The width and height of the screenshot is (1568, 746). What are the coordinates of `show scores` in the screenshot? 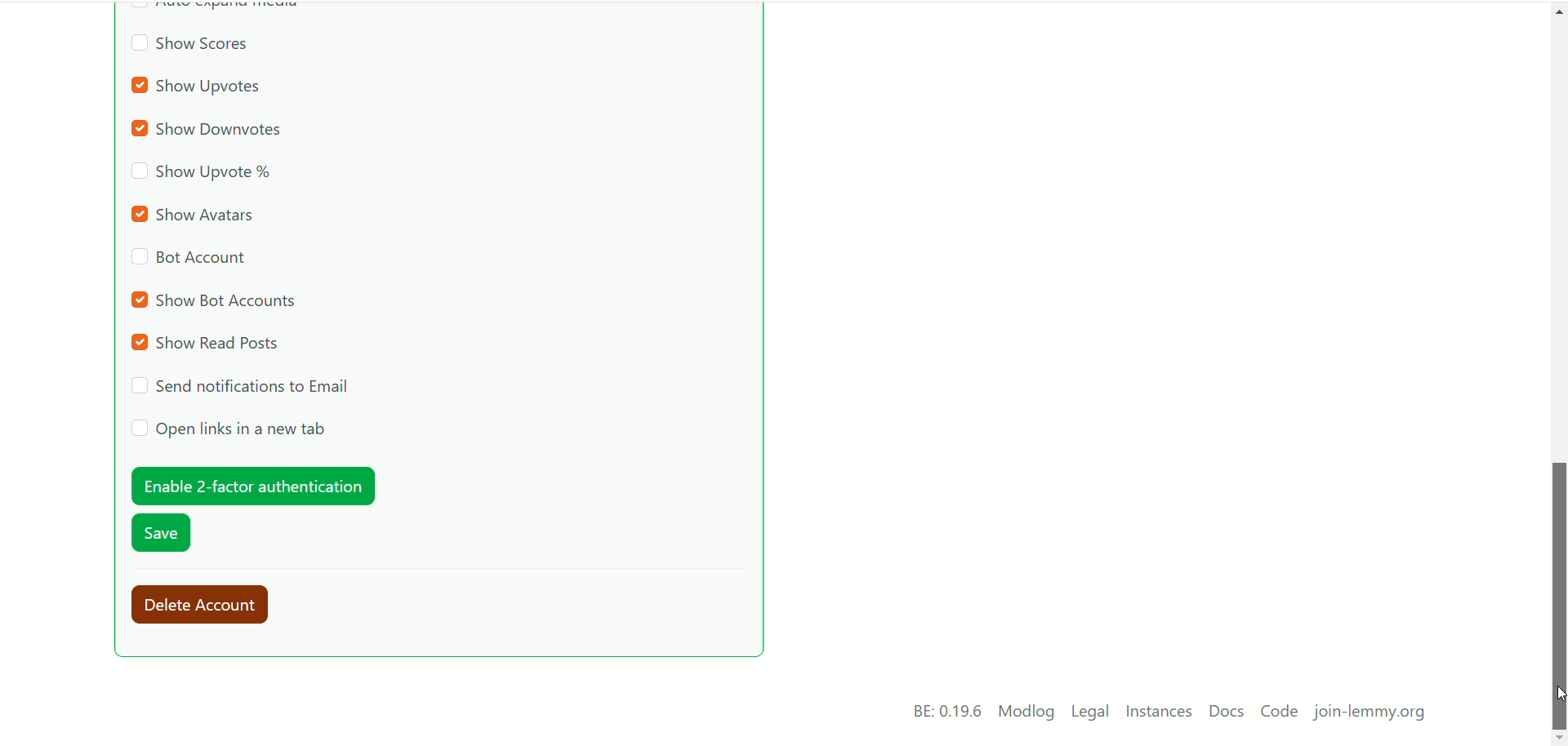 It's located at (189, 47).